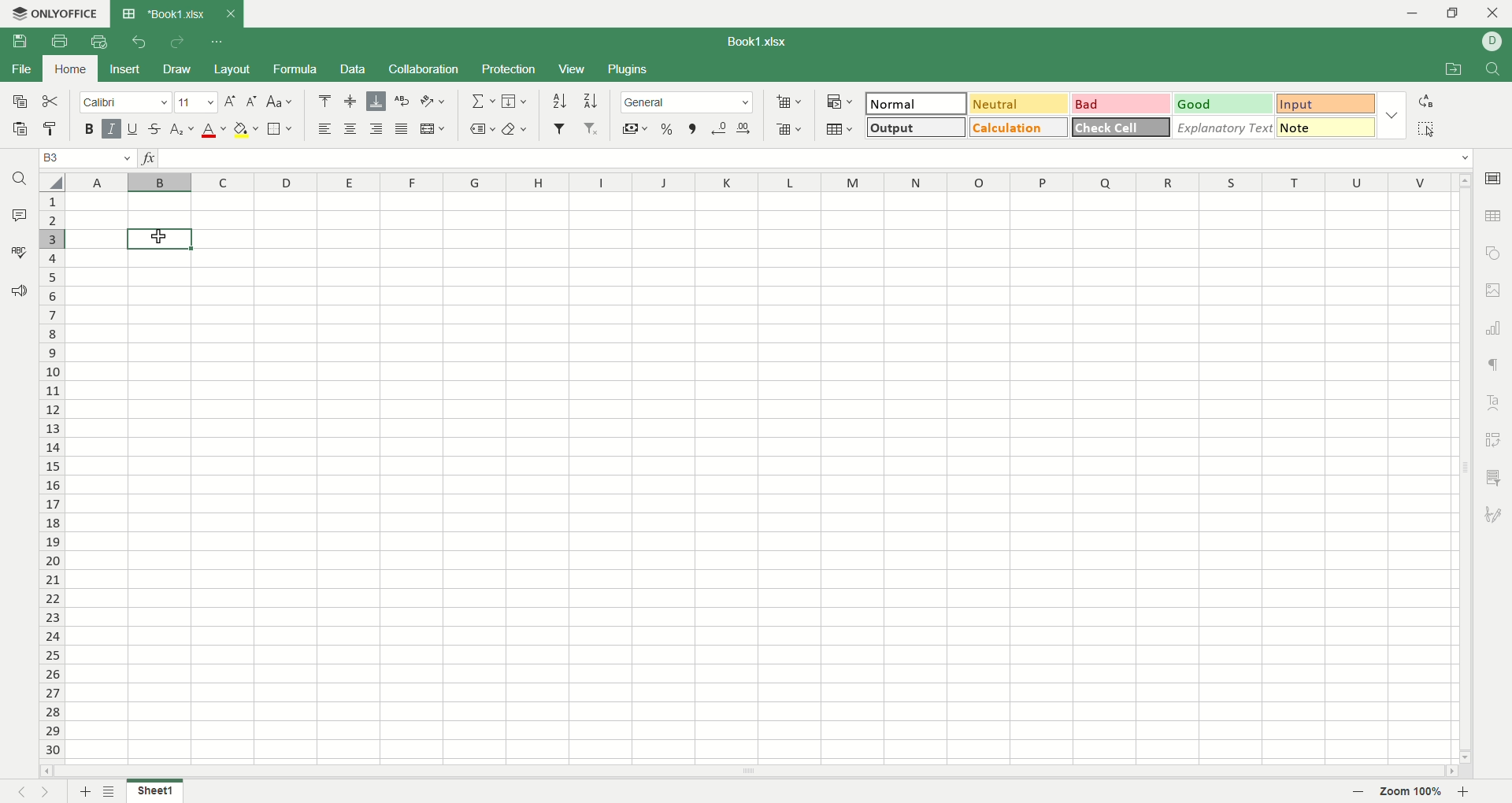 The image size is (1512, 803). What do you see at coordinates (1495, 214) in the screenshot?
I see `table` at bounding box center [1495, 214].